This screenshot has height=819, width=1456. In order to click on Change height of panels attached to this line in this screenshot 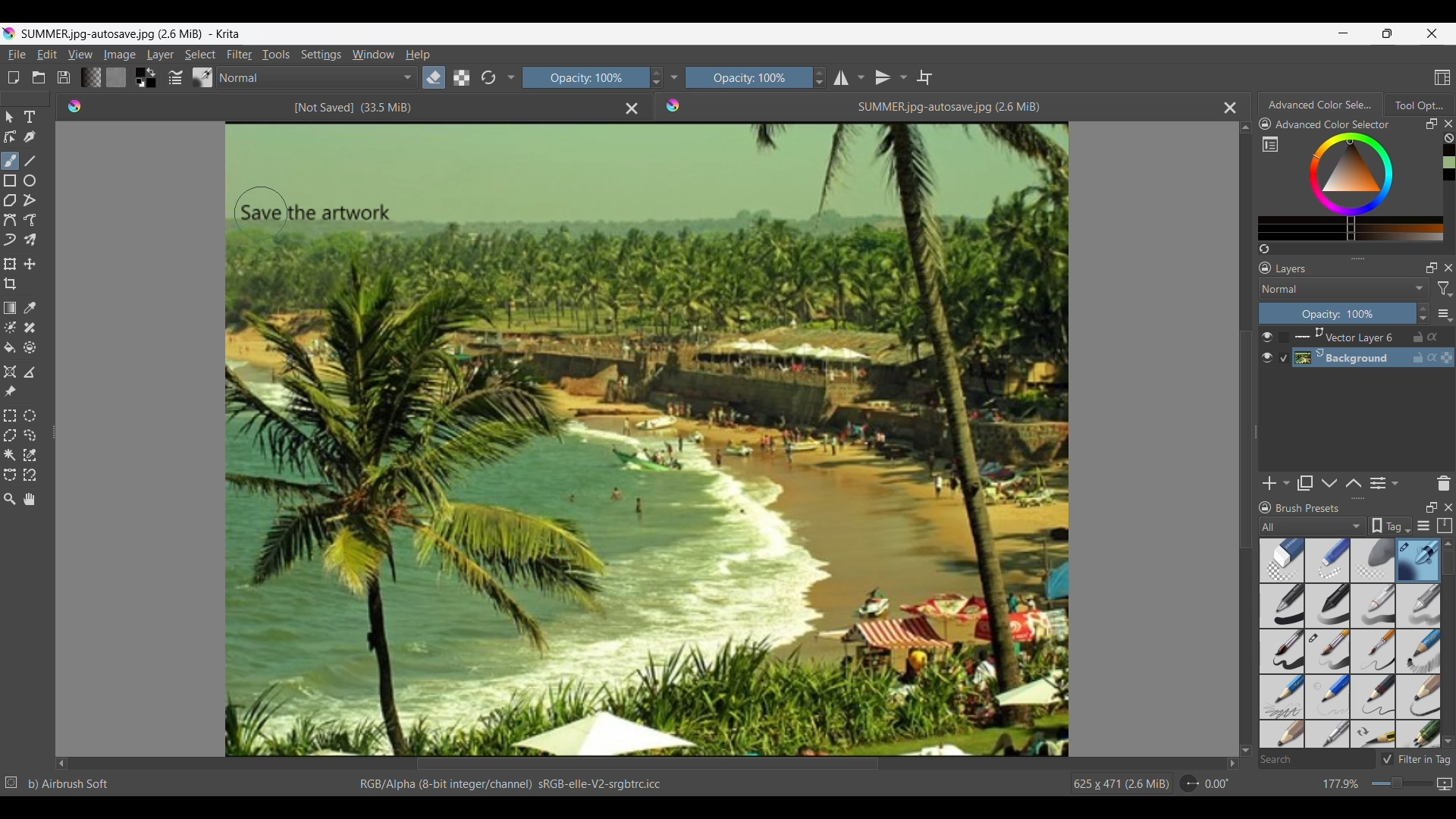, I will do `click(1357, 258)`.